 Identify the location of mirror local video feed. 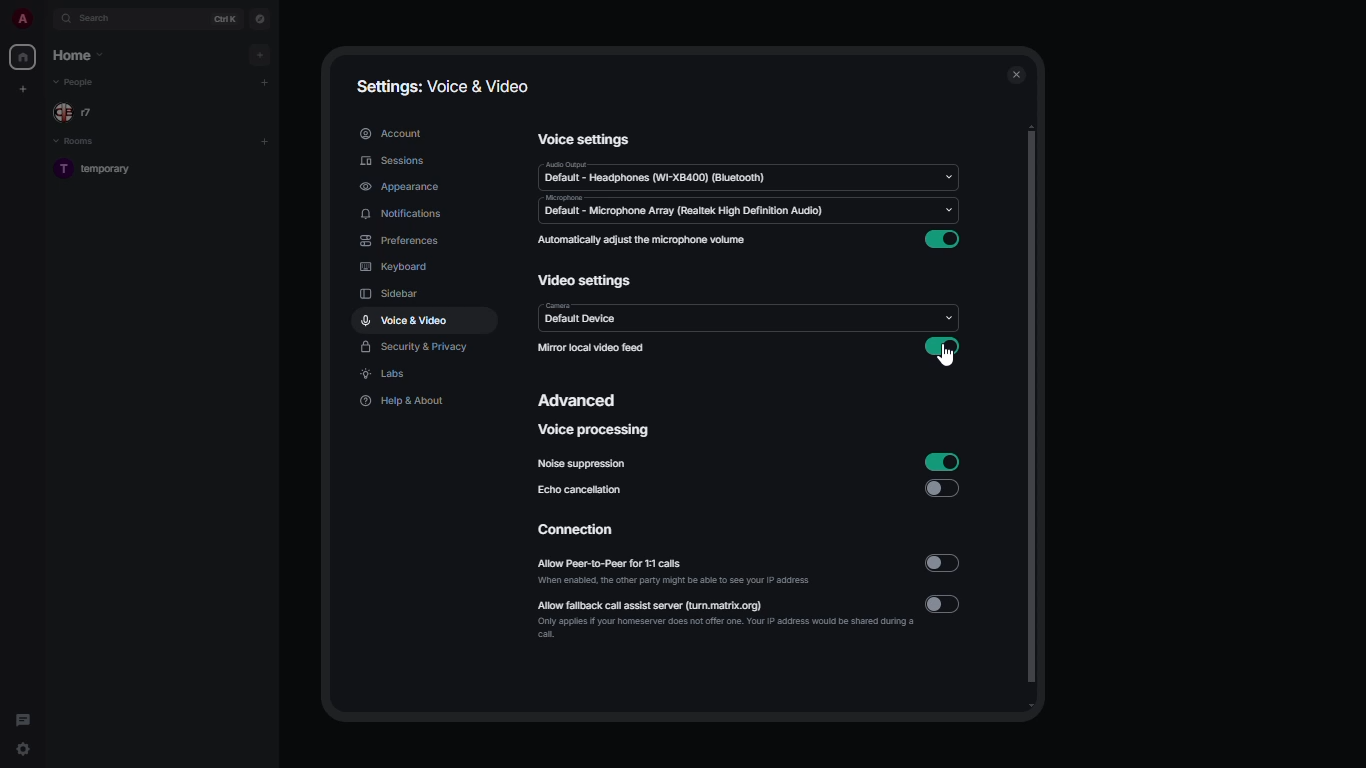
(591, 348).